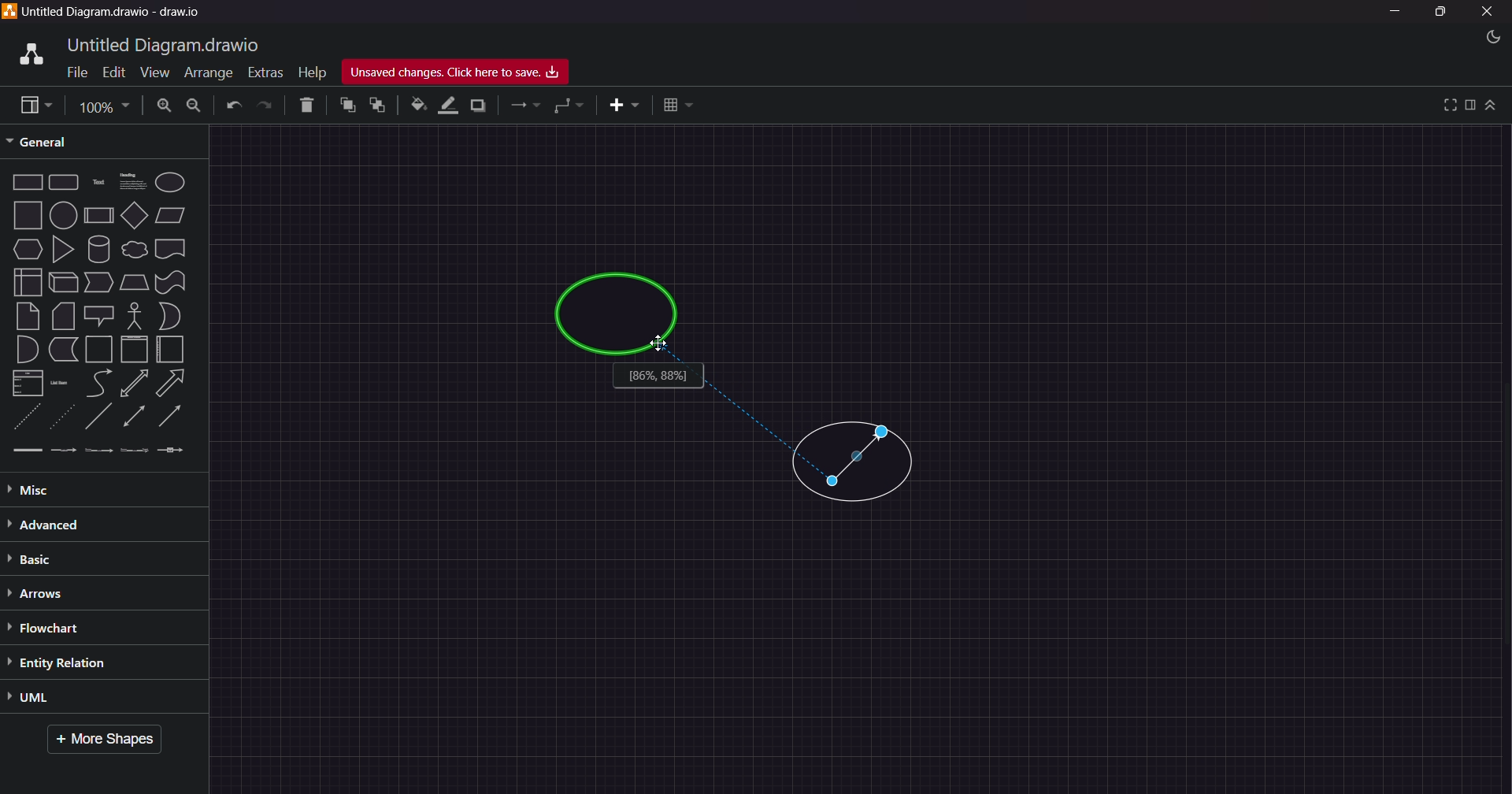 The height and width of the screenshot is (794, 1512). I want to click on Edit, so click(110, 71).